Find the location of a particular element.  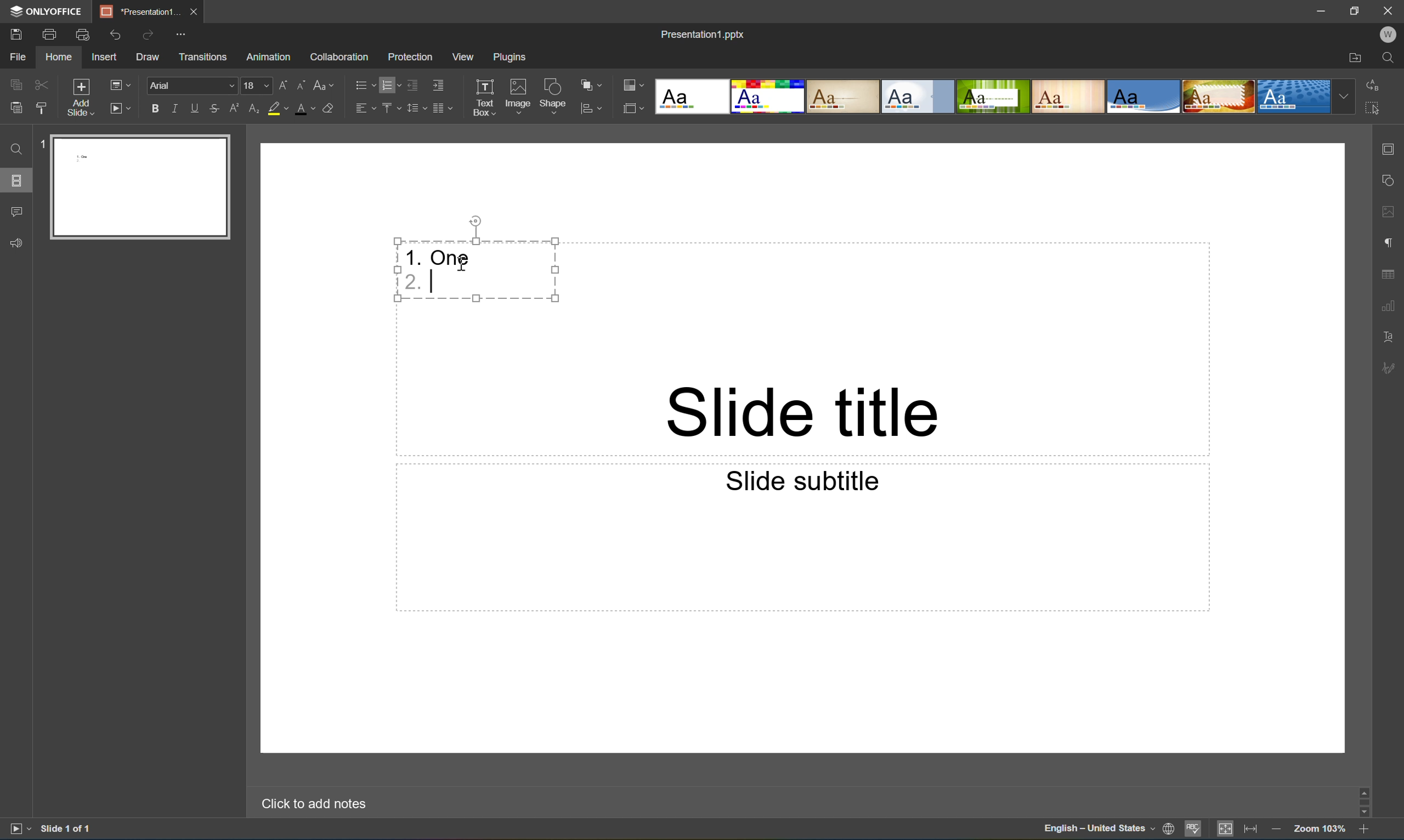

Font size is located at coordinates (258, 87).